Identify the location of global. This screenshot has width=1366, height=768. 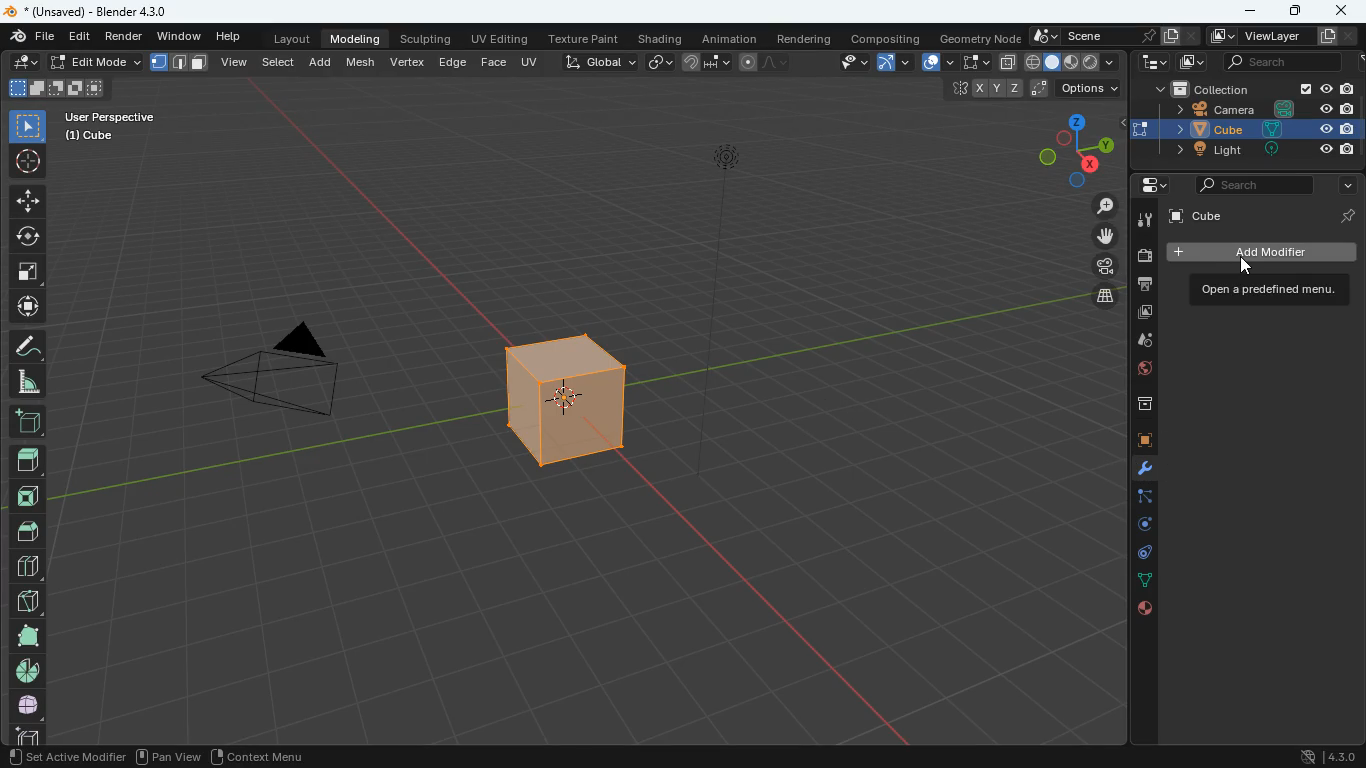
(599, 61).